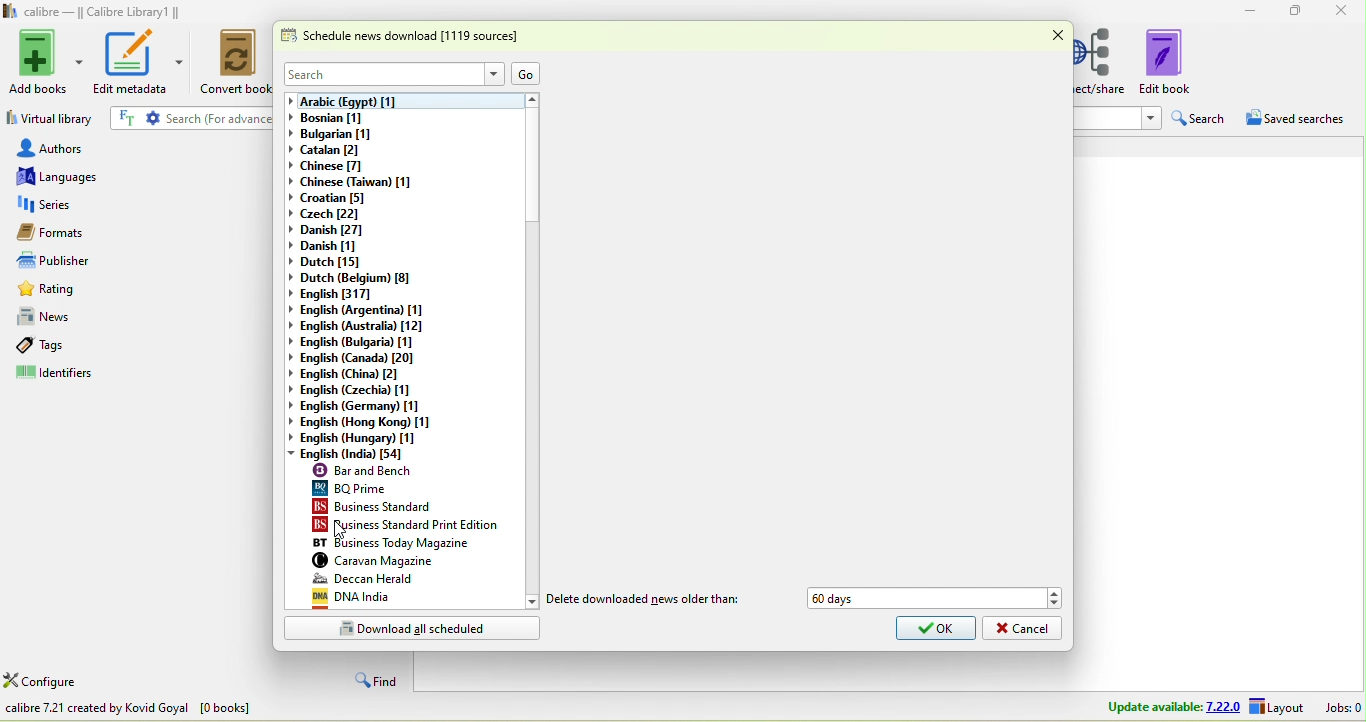 Image resolution: width=1366 pixels, height=722 pixels. Describe the element at coordinates (918, 598) in the screenshot. I see `60 days` at that location.